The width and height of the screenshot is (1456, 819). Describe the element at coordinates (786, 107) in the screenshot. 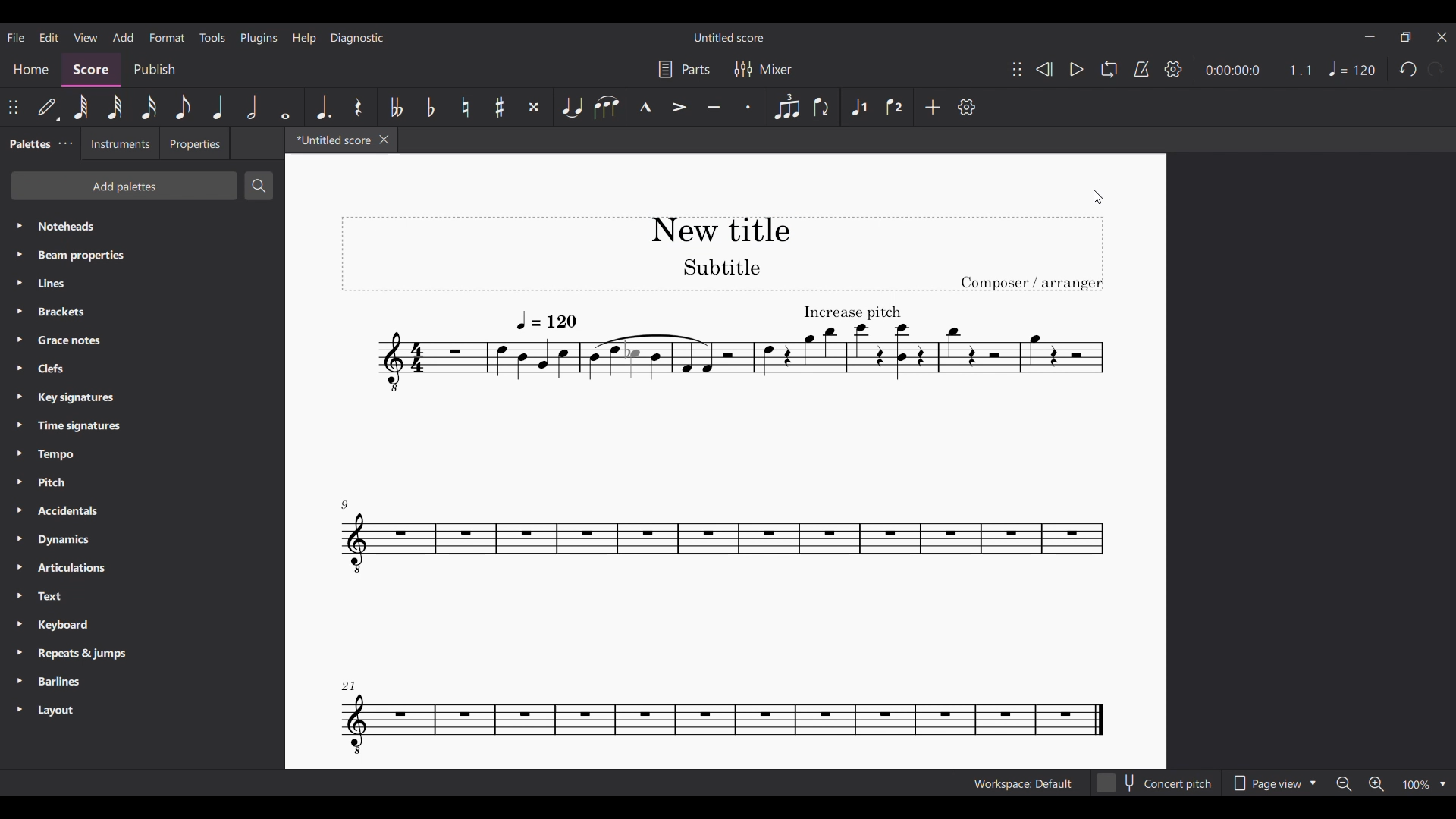

I see `Tuplet` at that location.